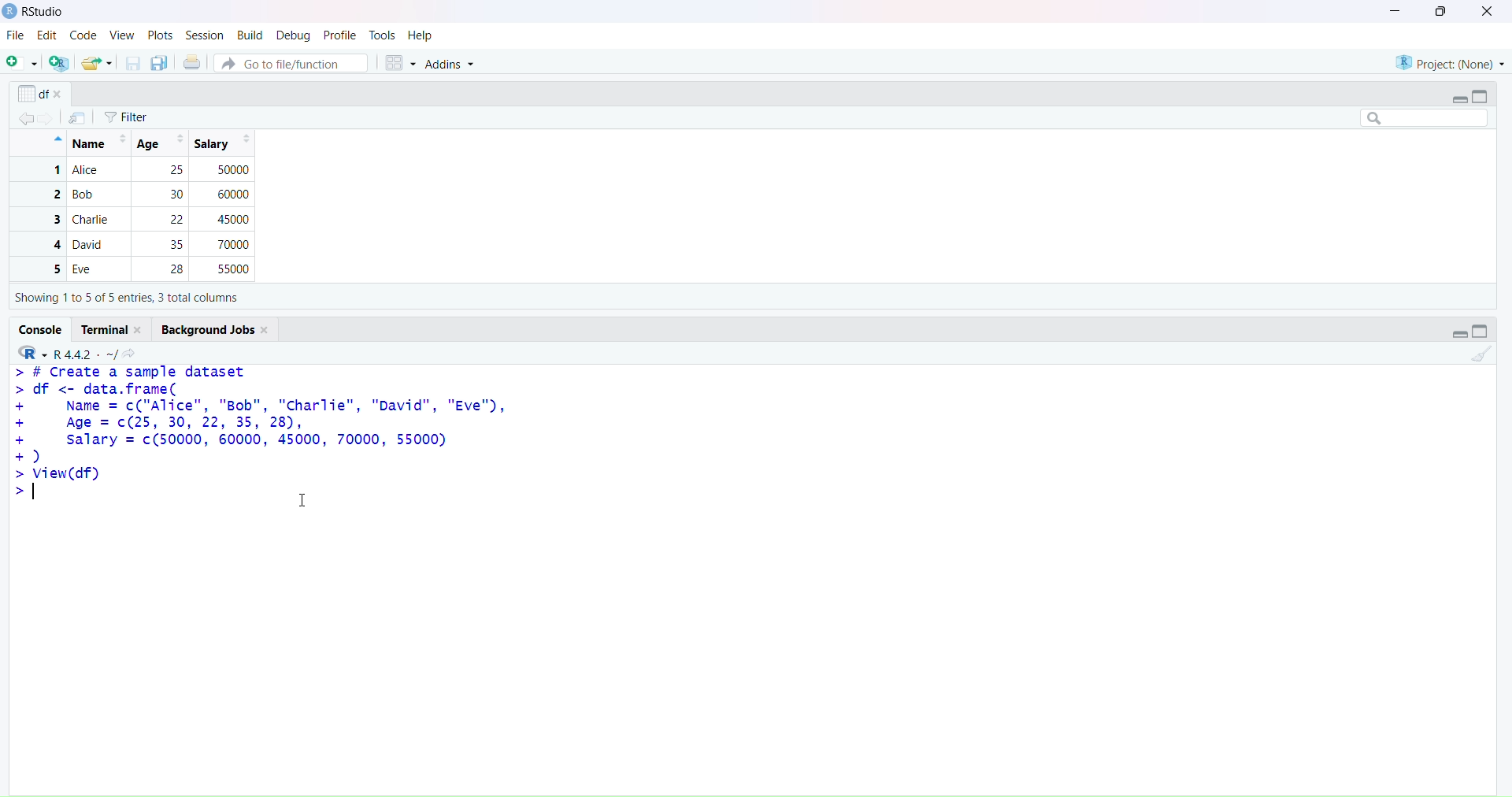 Image resolution: width=1512 pixels, height=797 pixels. Describe the element at coordinates (341, 35) in the screenshot. I see `profile` at that location.